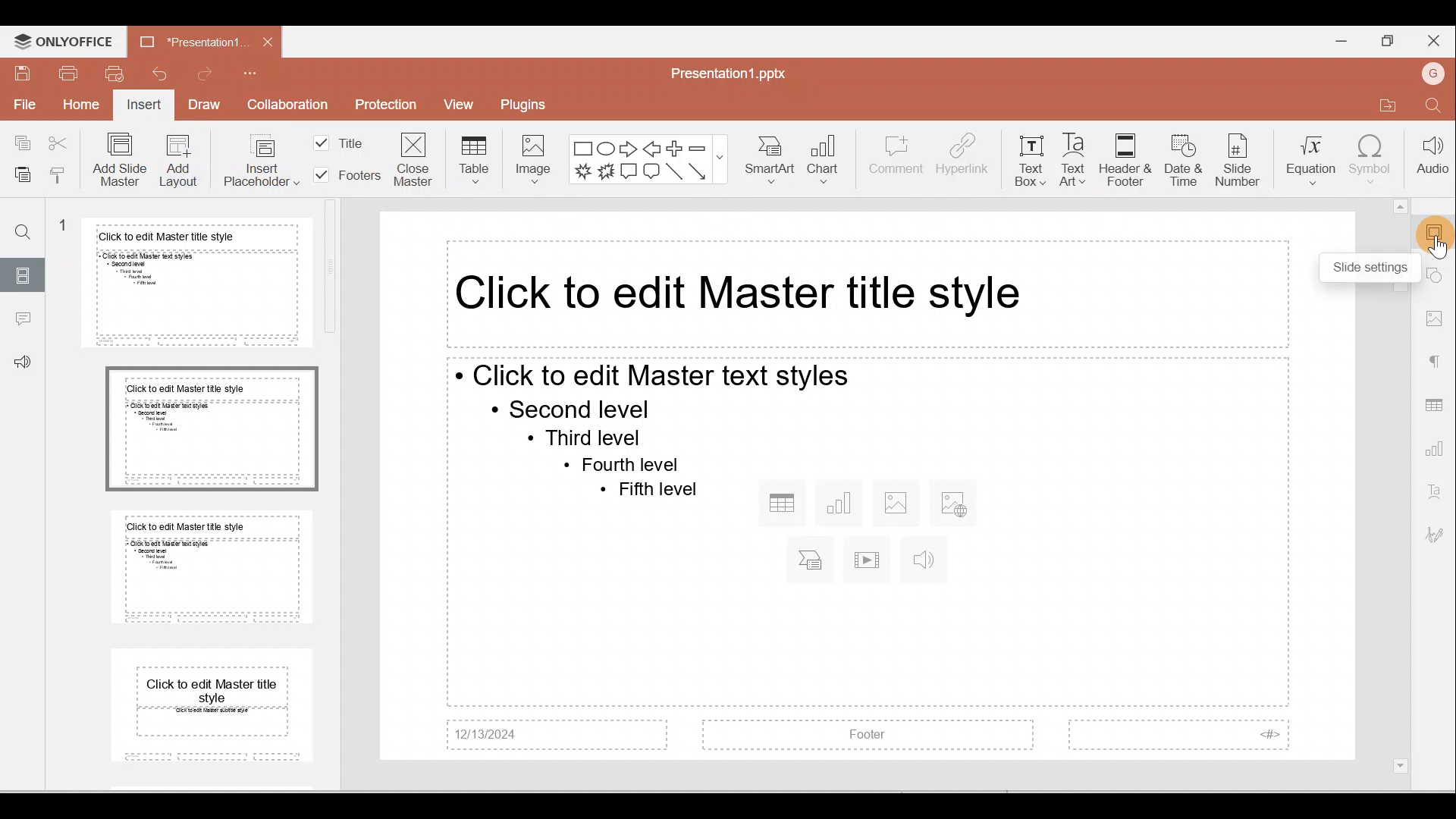 This screenshot has height=819, width=1456. I want to click on Insert, so click(143, 106).